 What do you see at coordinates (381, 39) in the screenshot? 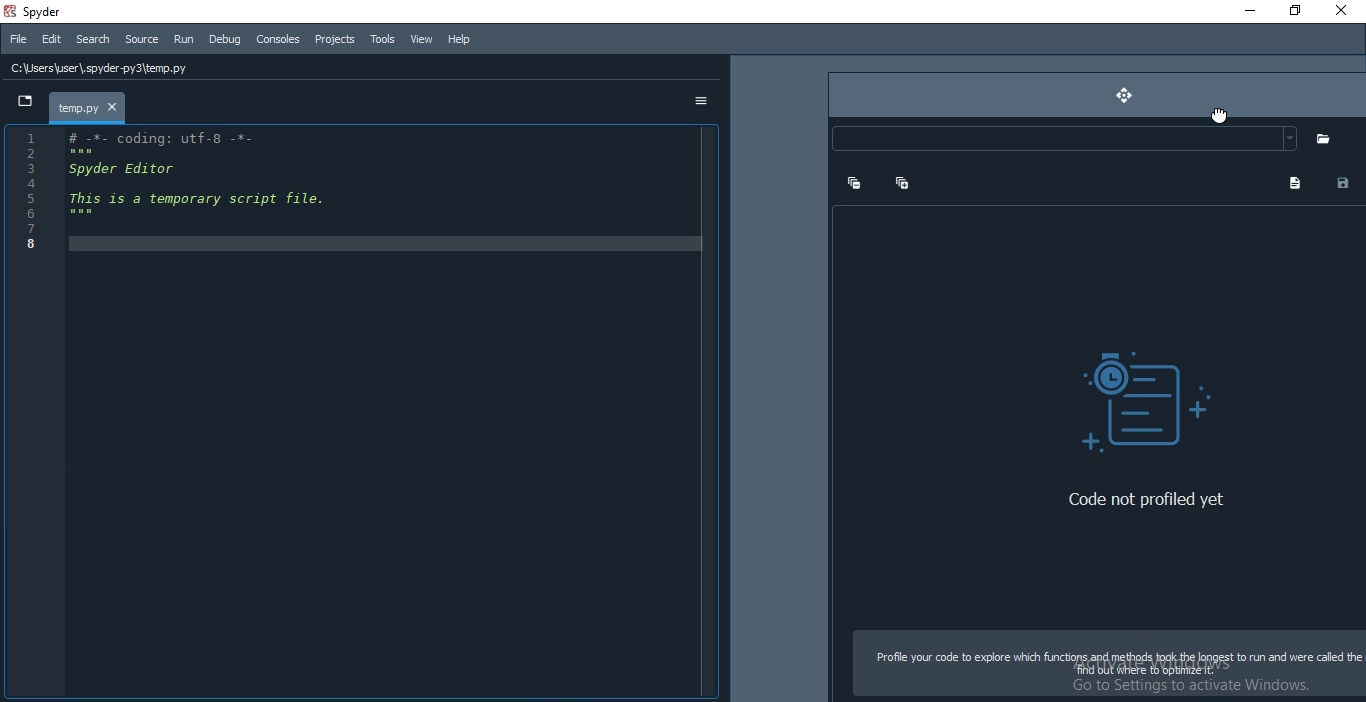
I see `Tools` at bounding box center [381, 39].